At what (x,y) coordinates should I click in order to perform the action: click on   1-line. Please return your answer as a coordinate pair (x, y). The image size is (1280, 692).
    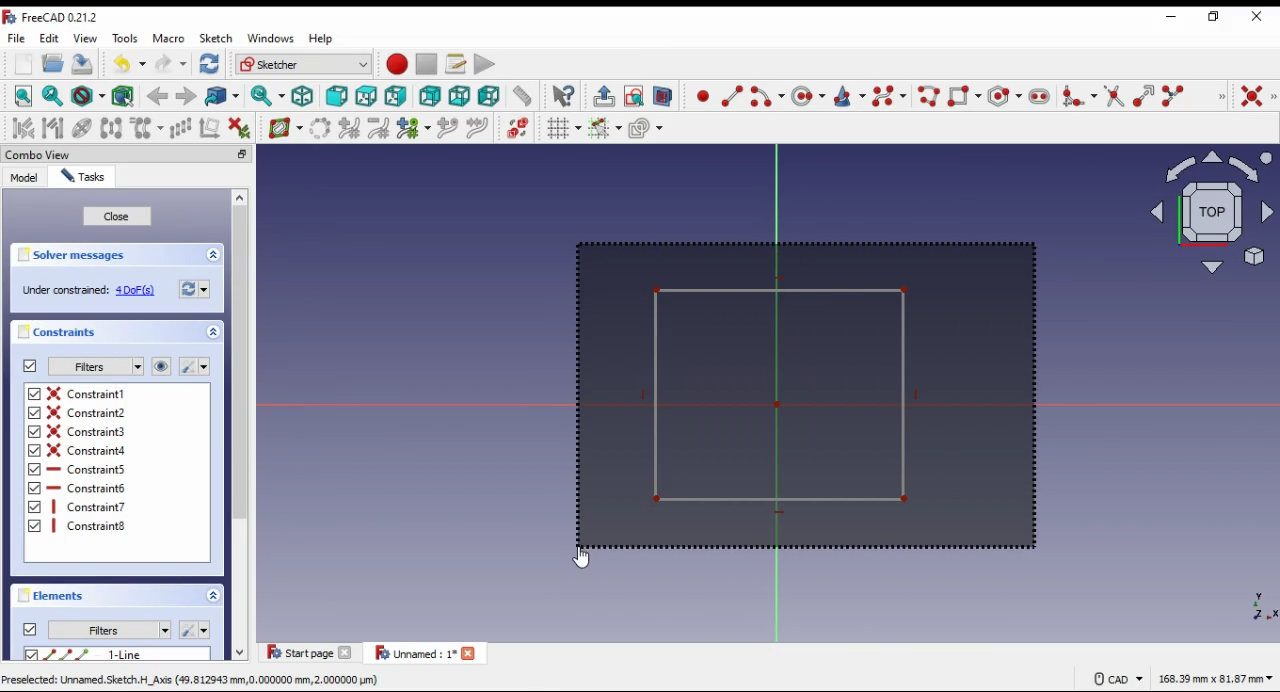
    Looking at the image, I should click on (129, 654).